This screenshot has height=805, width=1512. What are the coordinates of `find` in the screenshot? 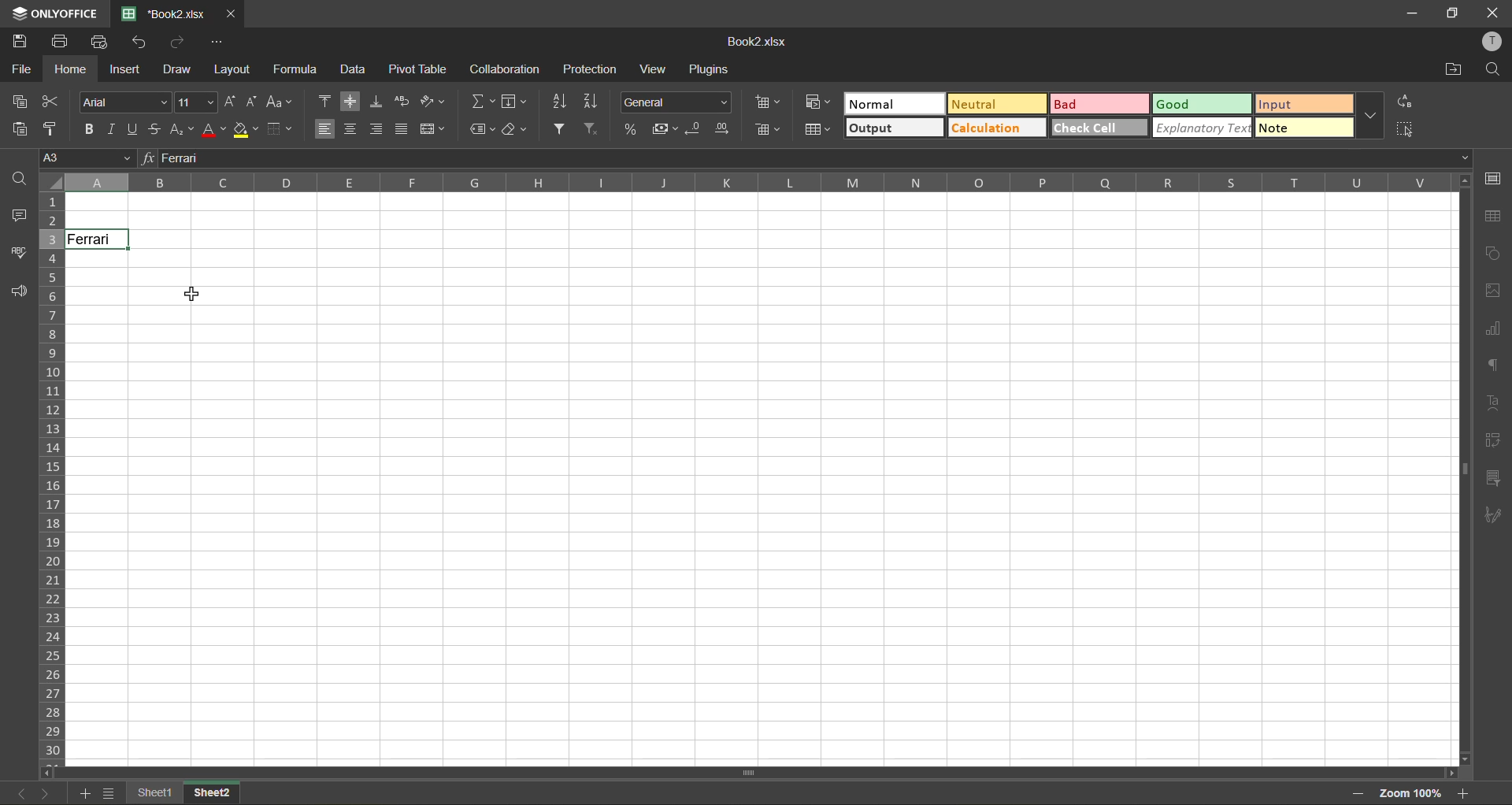 It's located at (21, 180).